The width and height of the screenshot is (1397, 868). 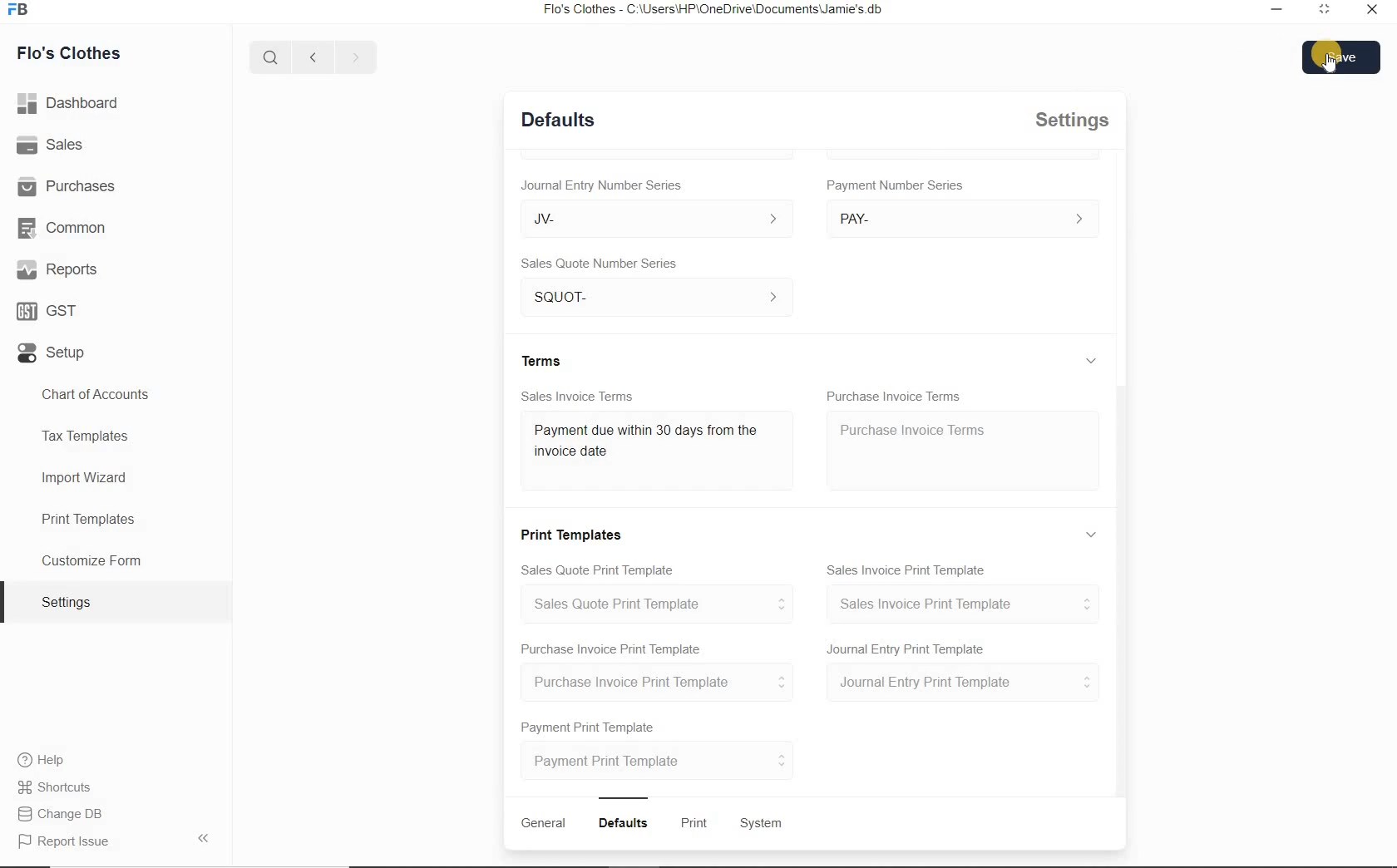 What do you see at coordinates (656, 681) in the screenshot?
I see `Purchase Invoice Print Template` at bounding box center [656, 681].